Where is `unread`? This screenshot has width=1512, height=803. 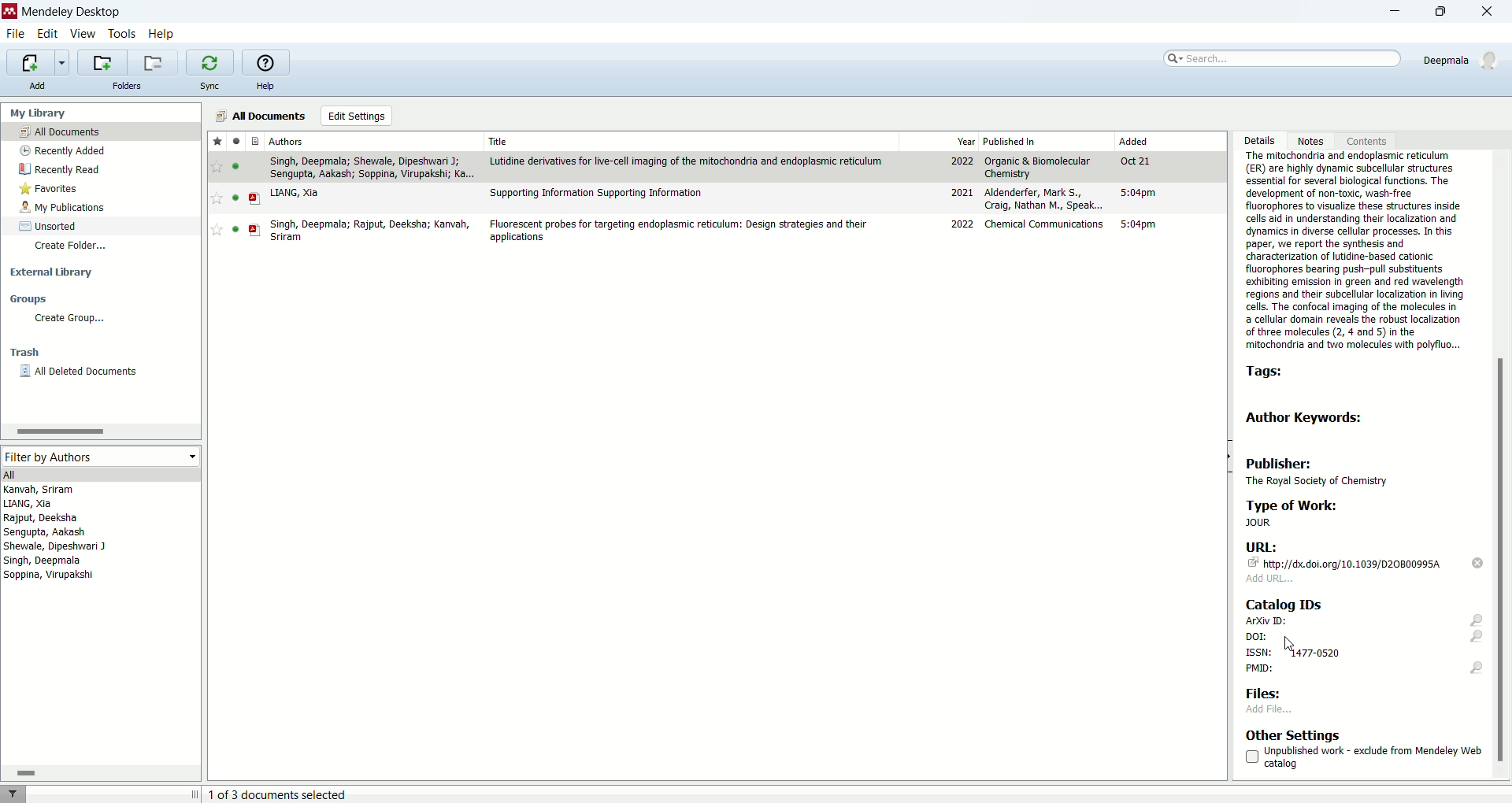 unread is located at coordinates (235, 198).